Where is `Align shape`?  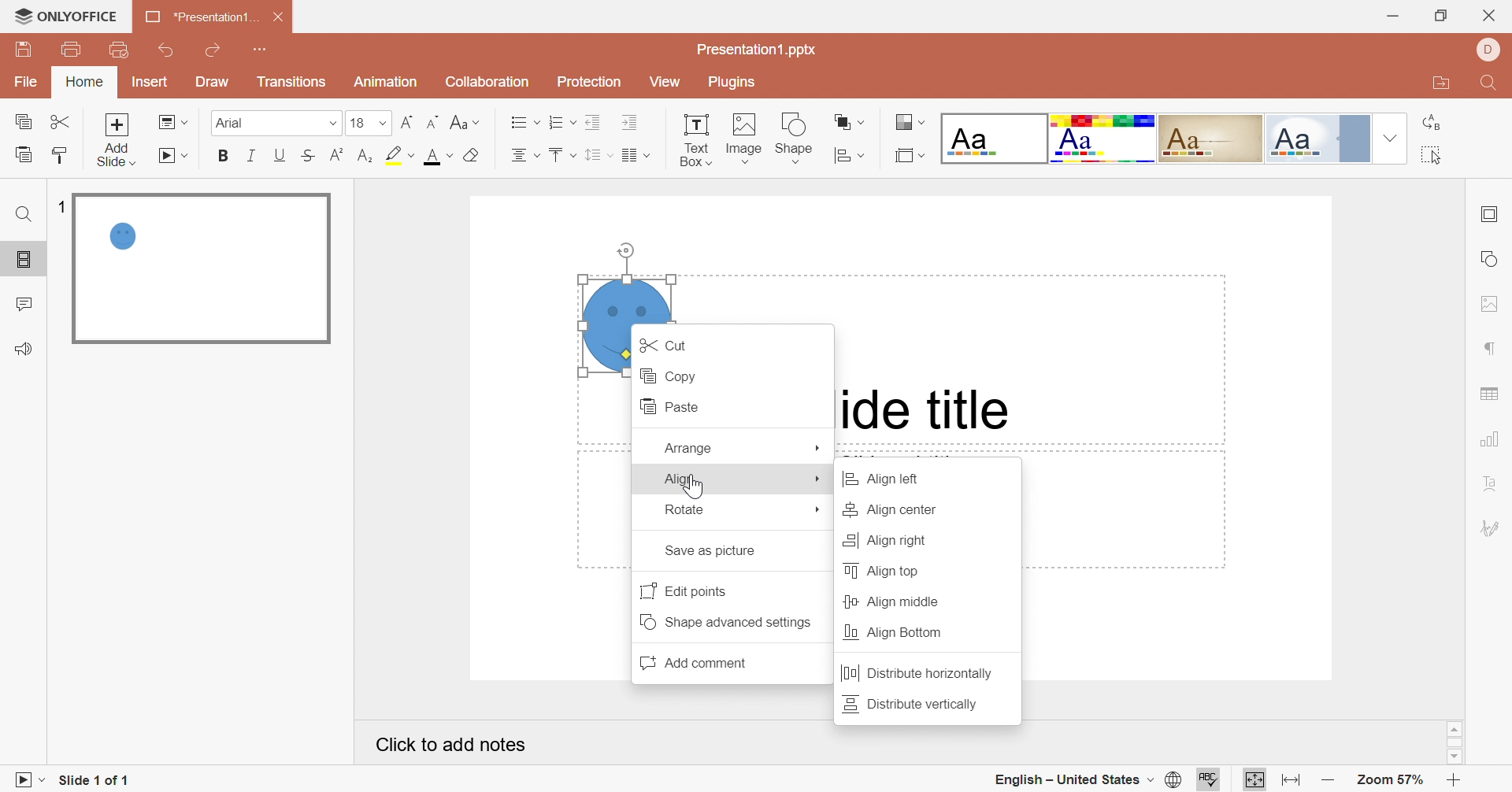
Align shape is located at coordinates (853, 156).